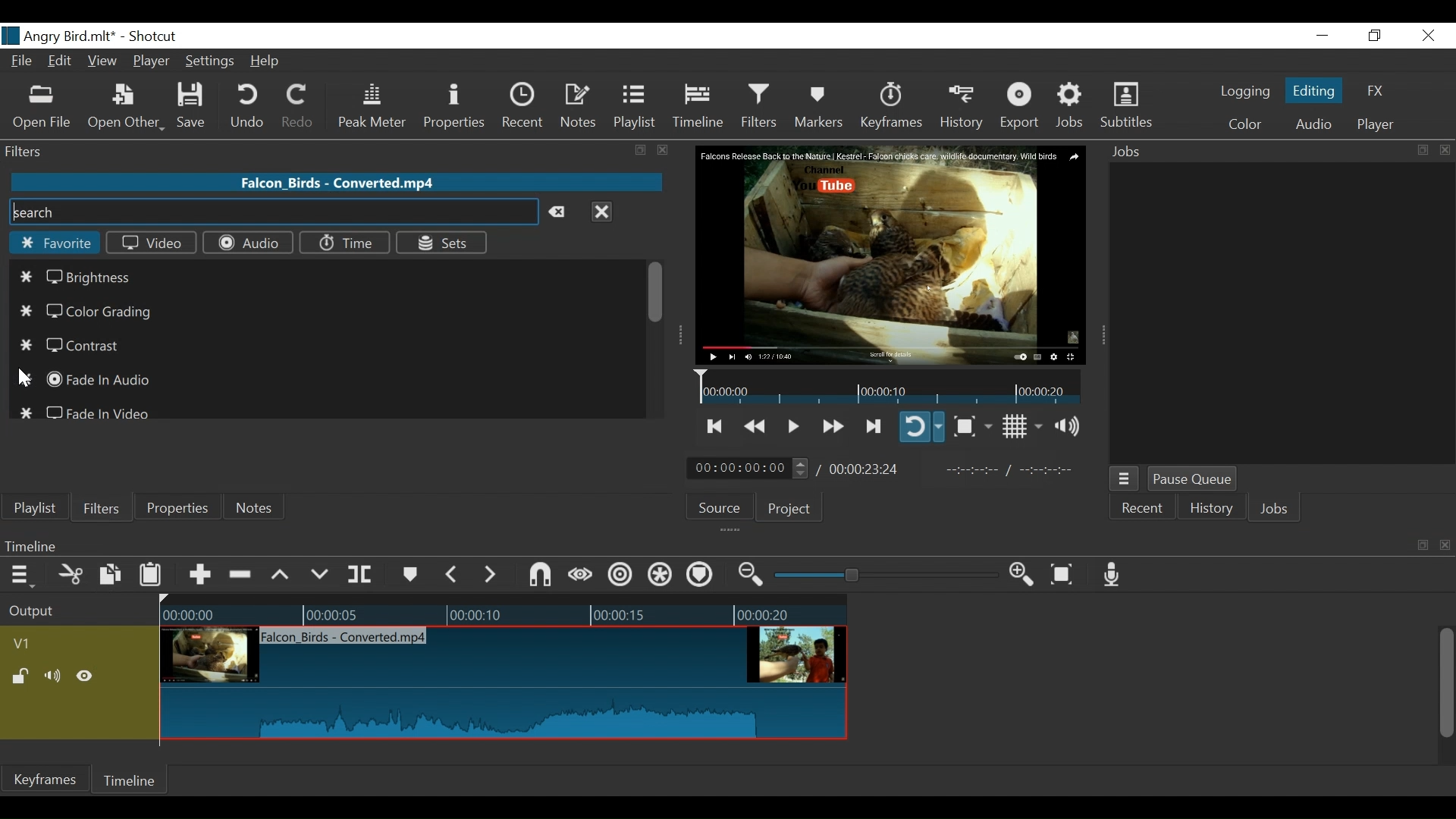 Image resolution: width=1456 pixels, height=819 pixels. What do you see at coordinates (492, 574) in the screenshot?
I see `Next Marker` at bounding box center [492, 574].